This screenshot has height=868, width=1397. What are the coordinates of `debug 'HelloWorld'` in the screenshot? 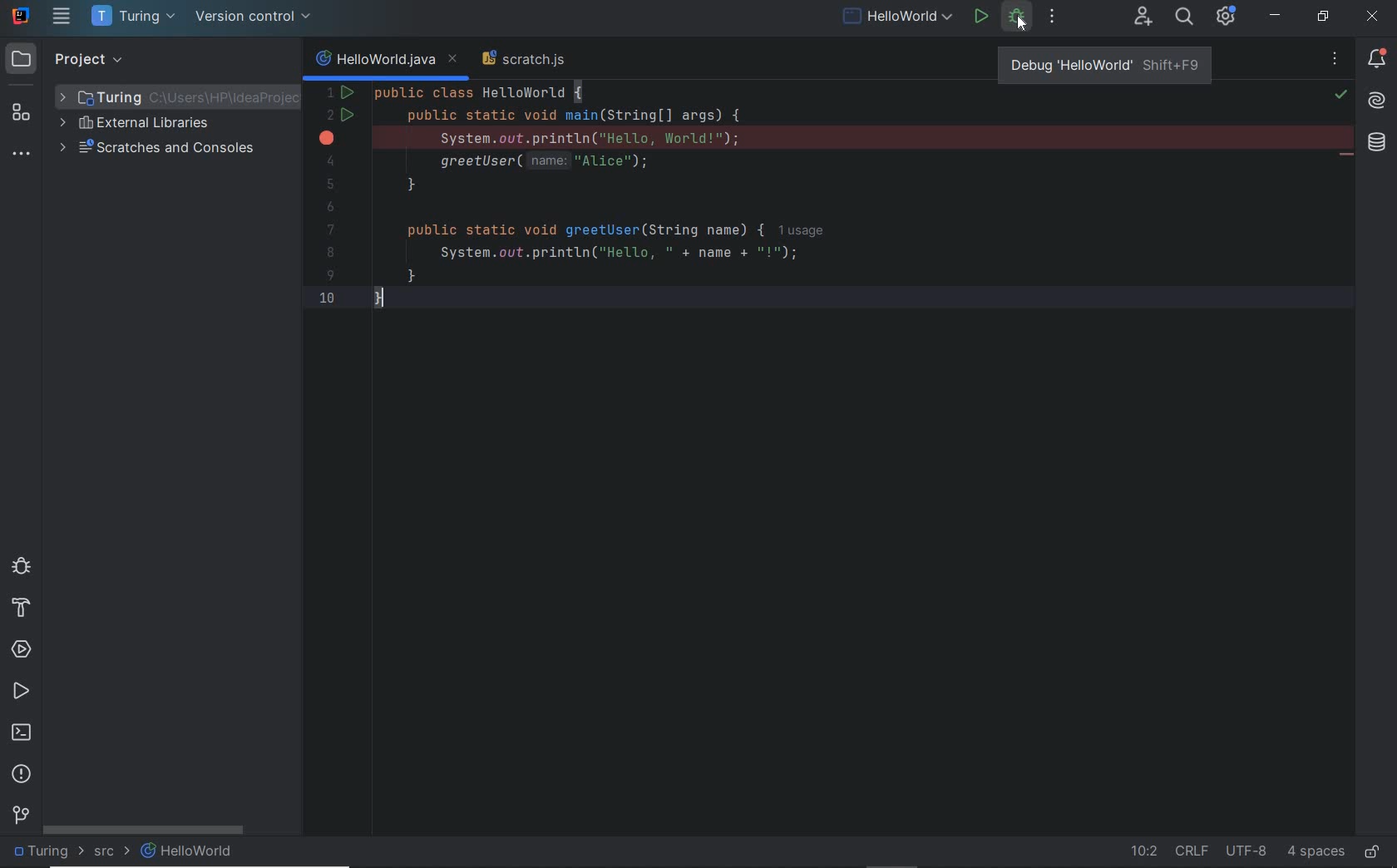 It's located at (1104, 62).